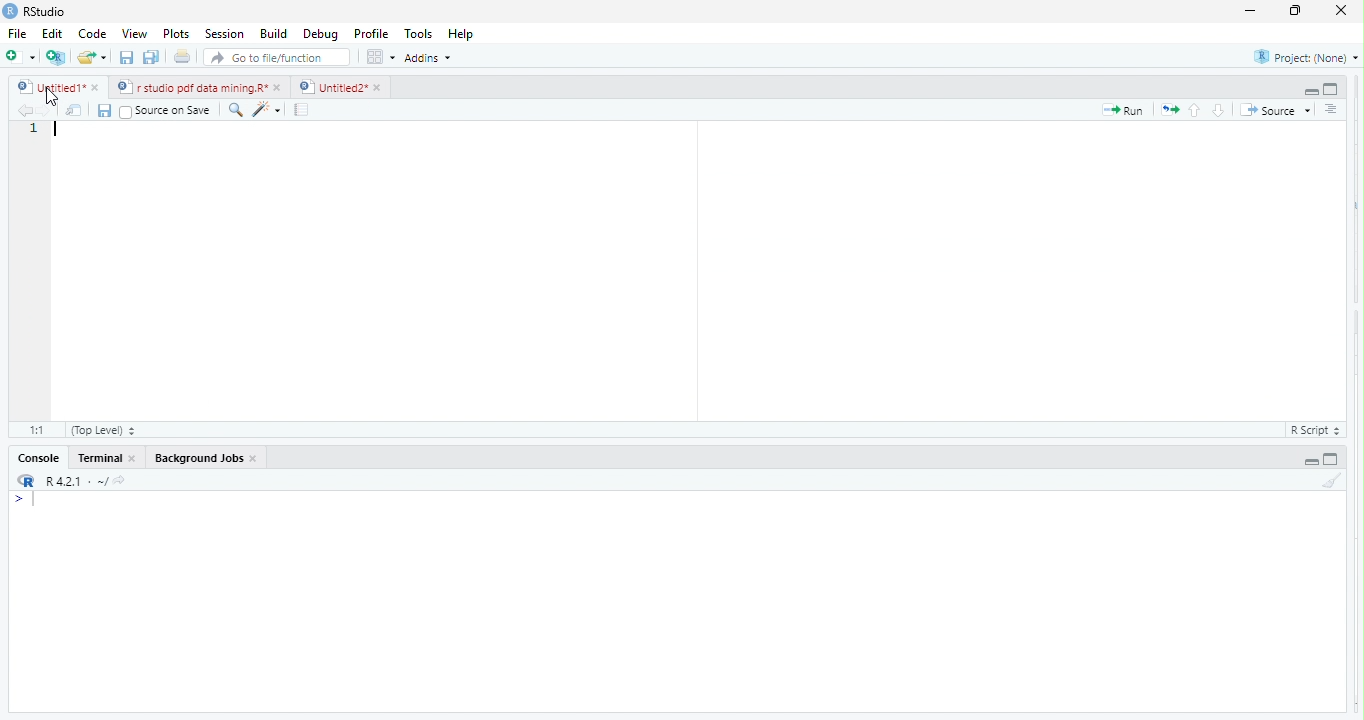 Image resolution: width=1364 pixels, height=720 pixels. What do you see at coordinates (126, 58) in the screenshot?
I see `save current document` at bounding box center [126, 58].